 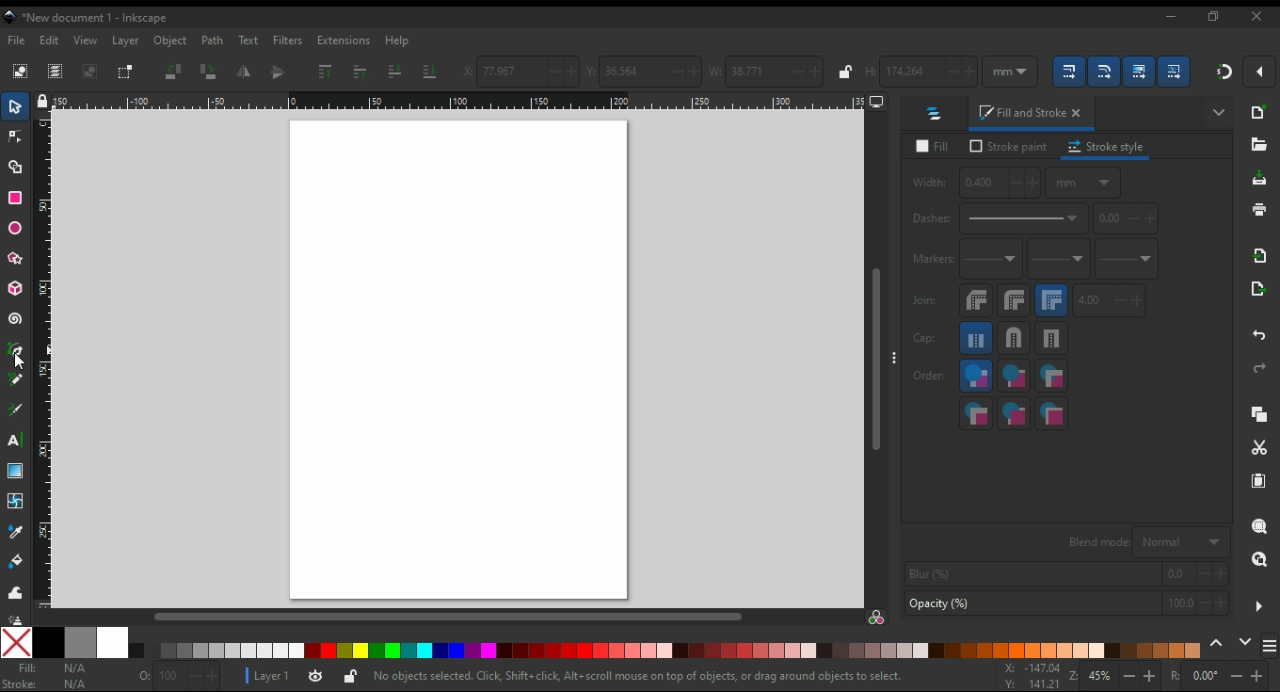 What do you see at coordinates (1108, 147) in the screenshot?
I see `stroke style` at bounding box center [1108, 147].